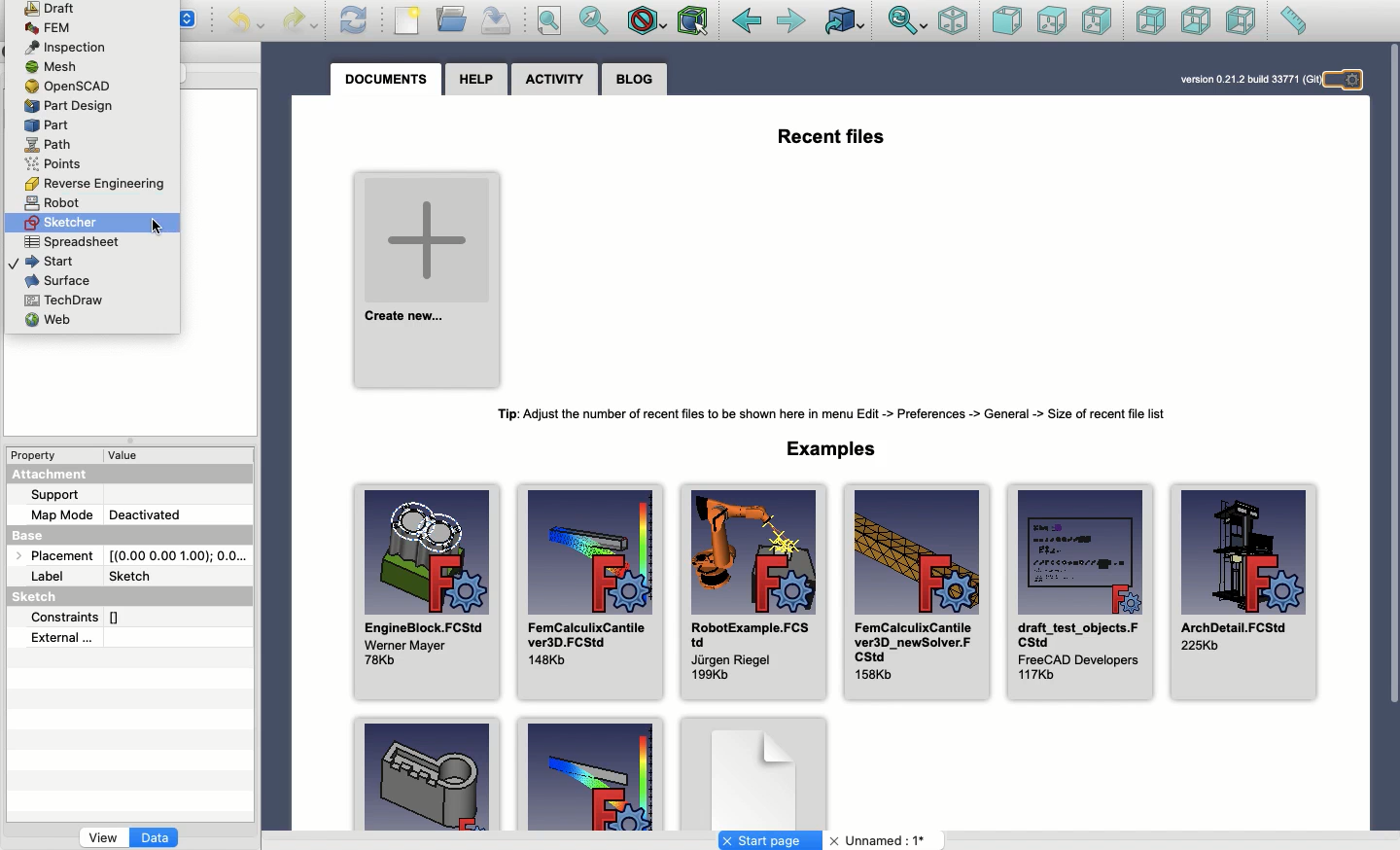 Image resolution: width=1400 pixels, height=850 pixels. What do you see at coordinates (52, 576) in the screenshot?
I see `Label` at bounding box center [52, 576].